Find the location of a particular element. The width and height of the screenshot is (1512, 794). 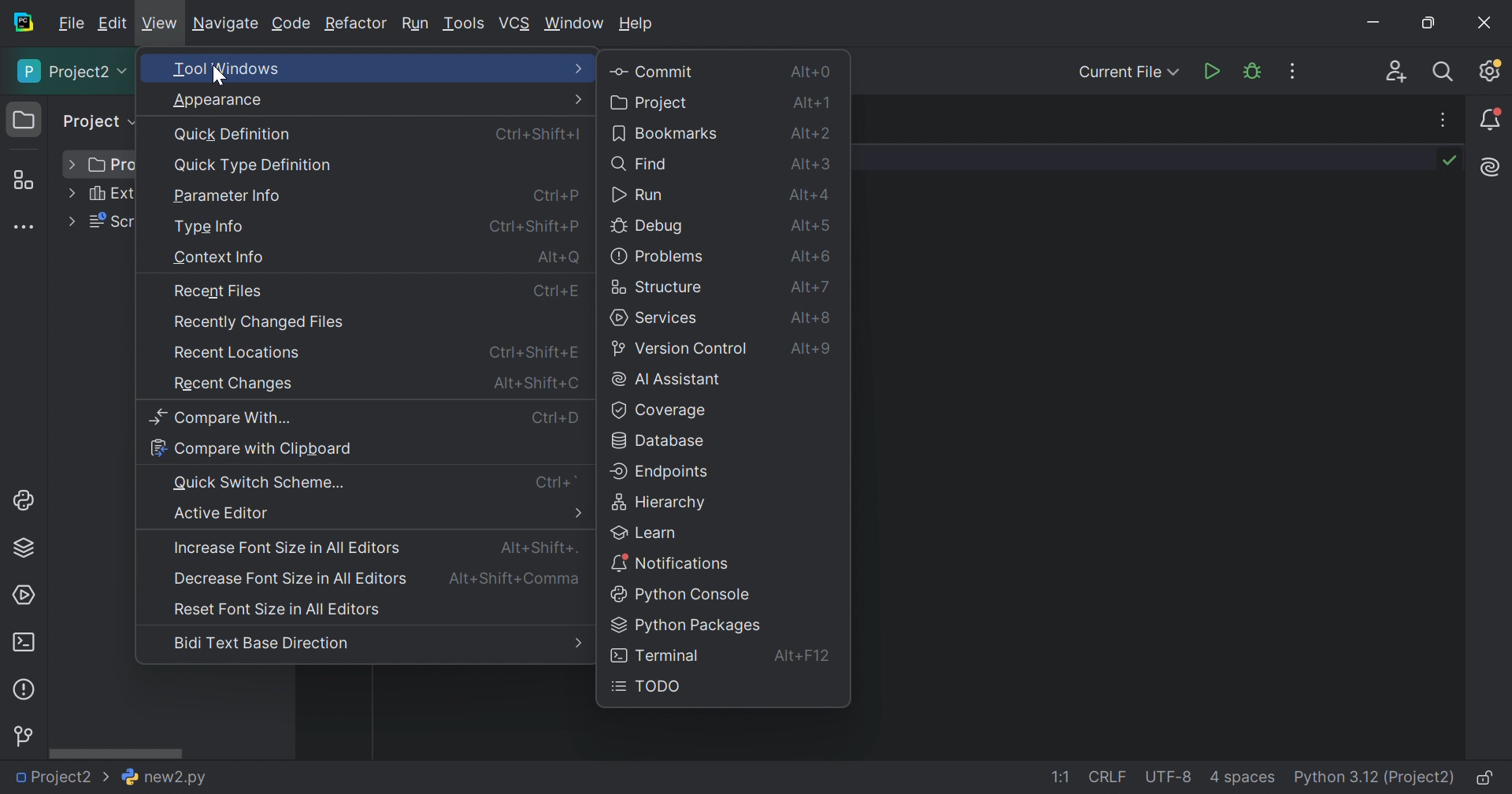

Alt+Shift+. is located at coordinates (537, 548).